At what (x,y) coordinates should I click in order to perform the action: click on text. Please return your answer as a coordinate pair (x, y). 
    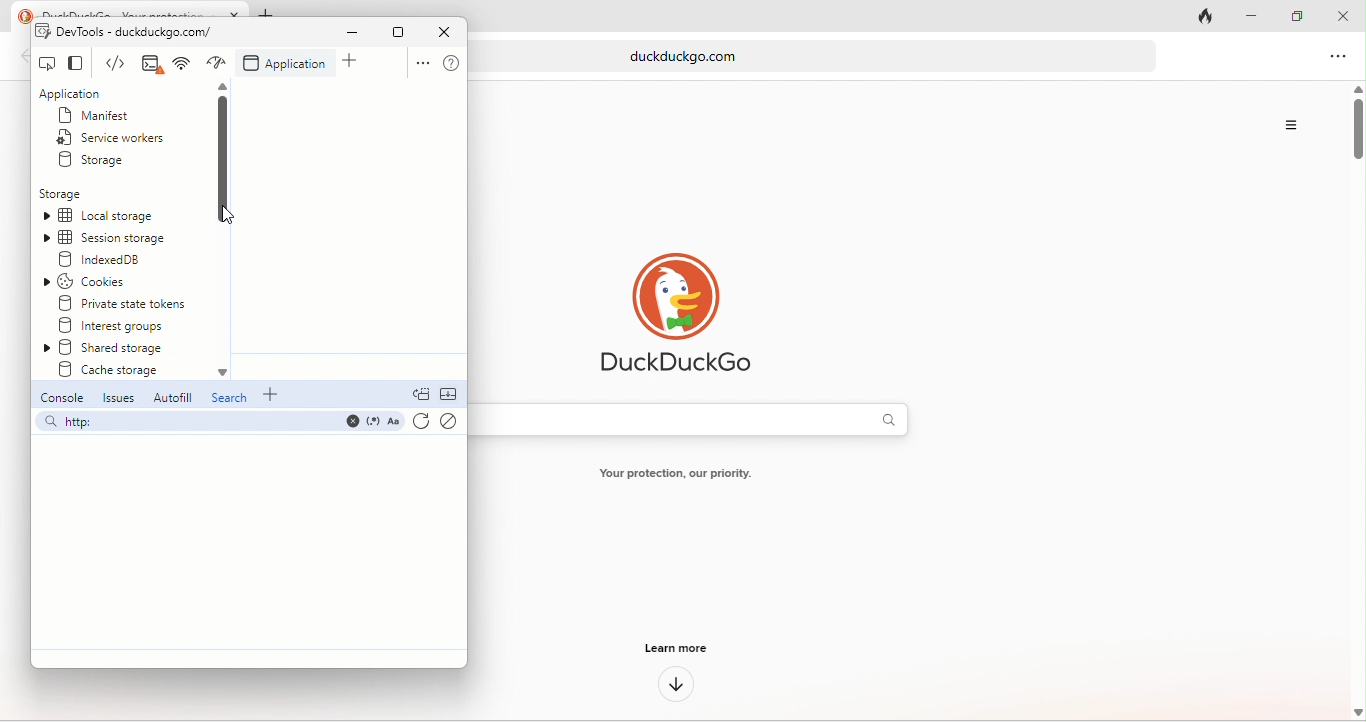
    Looking at the image, I should click on (686, 475).